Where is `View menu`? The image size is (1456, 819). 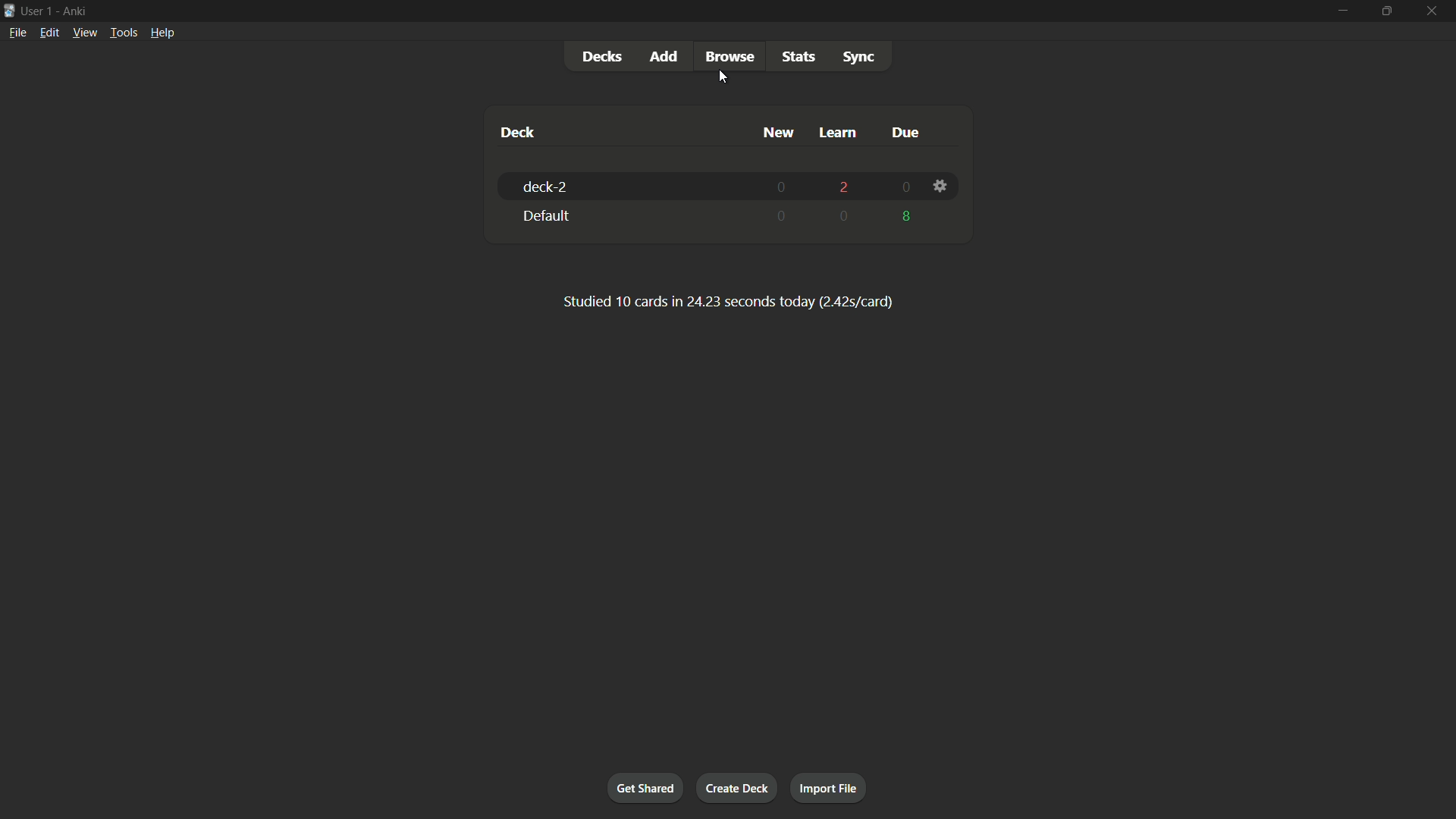
View menu is located at coordinates (84, 33).